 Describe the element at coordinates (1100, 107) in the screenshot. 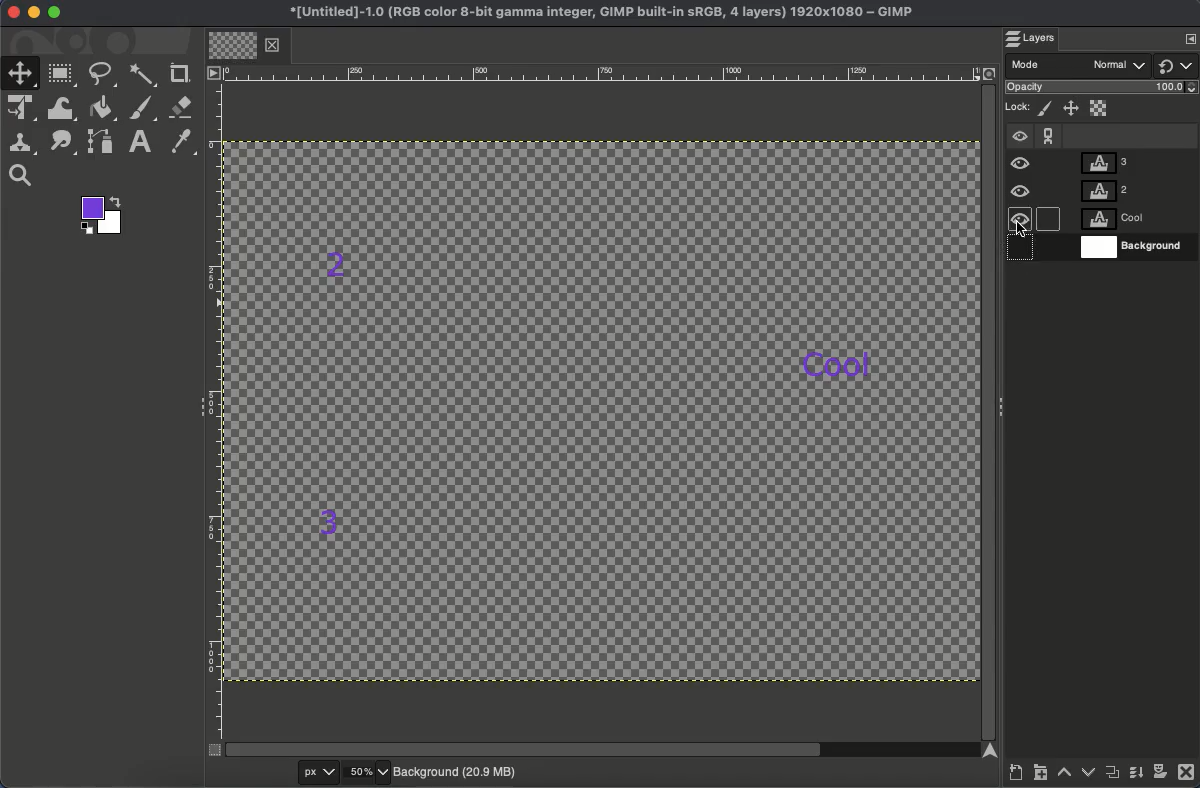

I see `Alpha` at that location.